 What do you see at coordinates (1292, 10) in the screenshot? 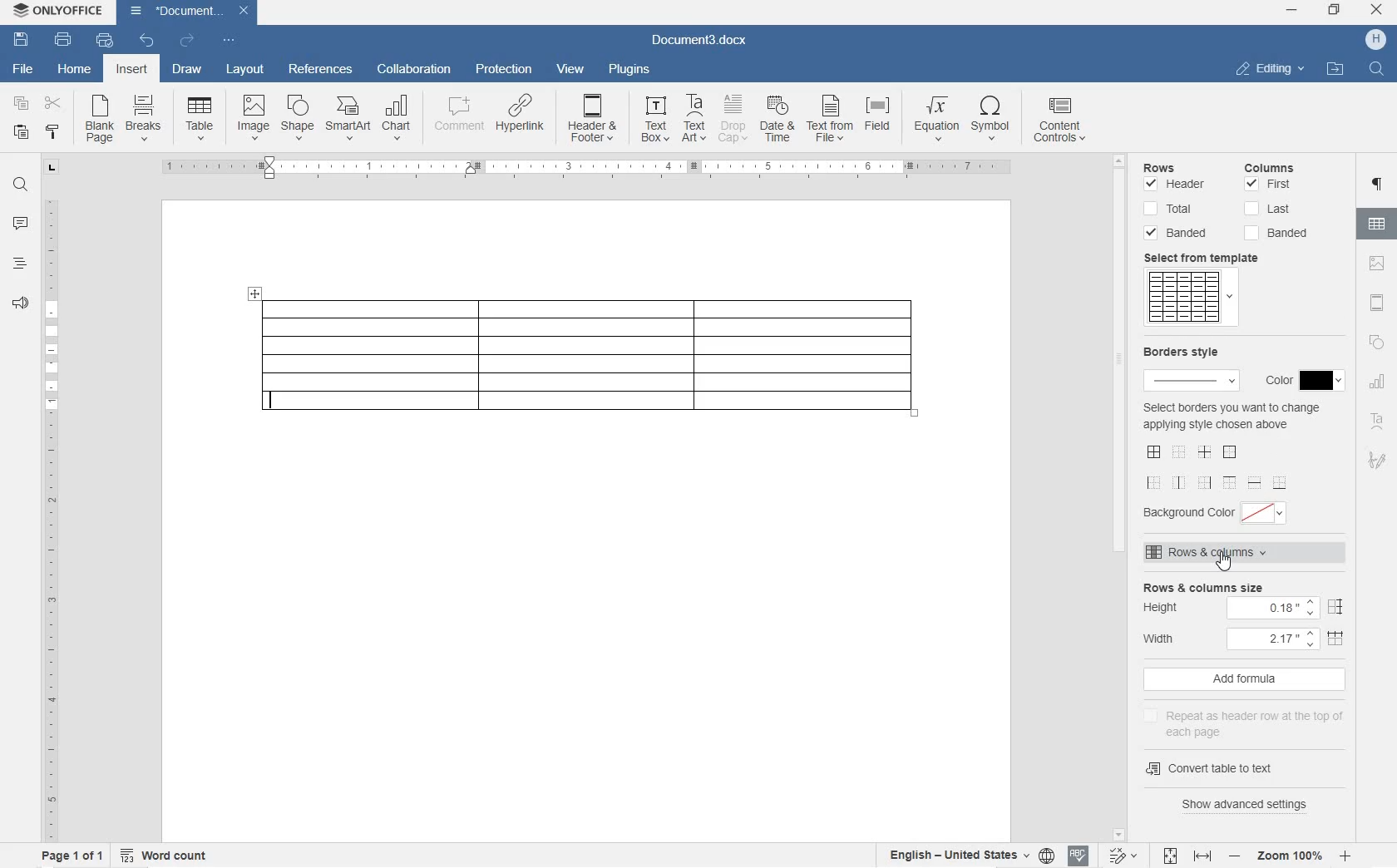
I see `MINIMIZE` at bounding box center [1292, 10].